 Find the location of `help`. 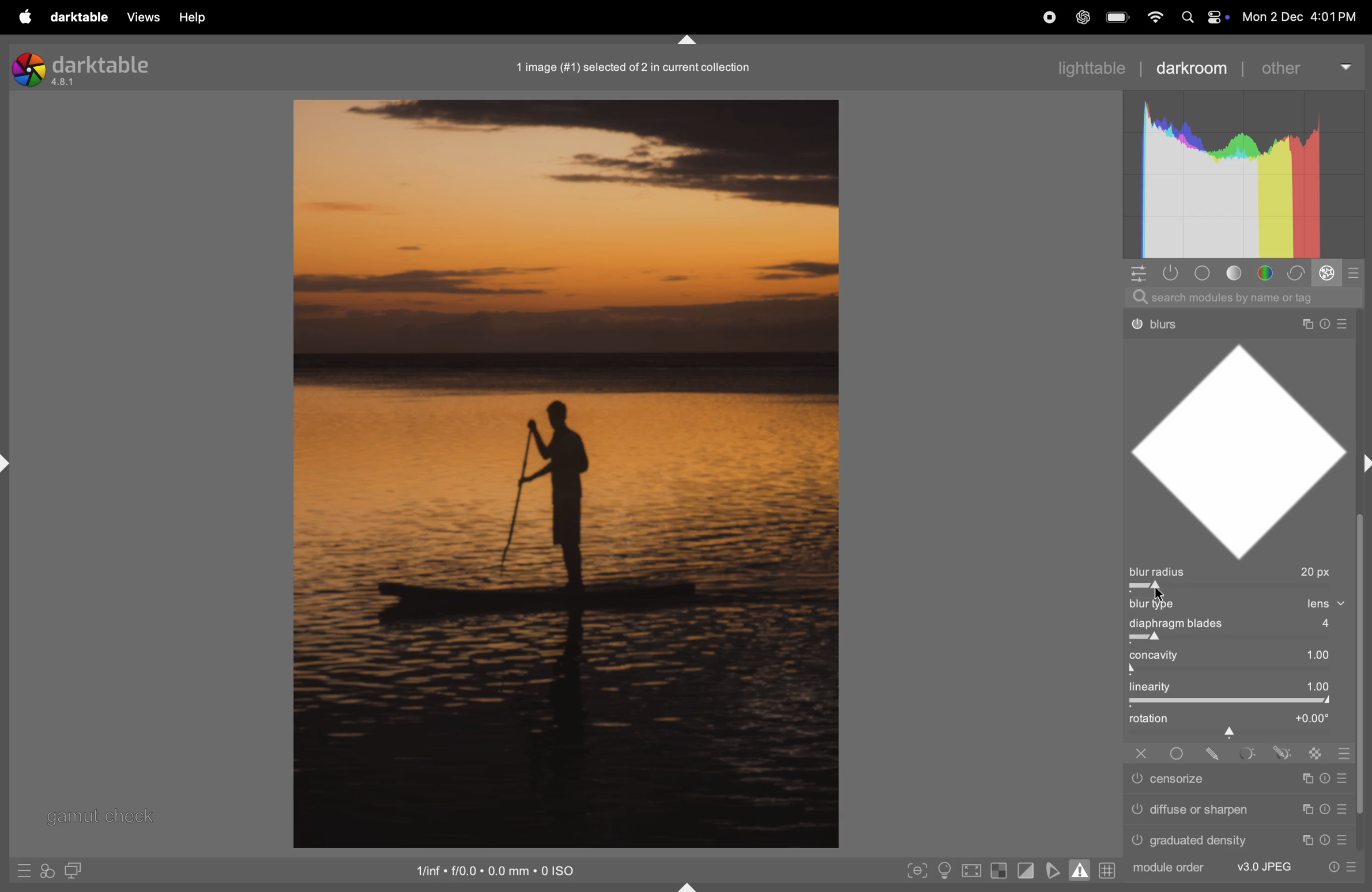

help is located at coordinates (196, 18).